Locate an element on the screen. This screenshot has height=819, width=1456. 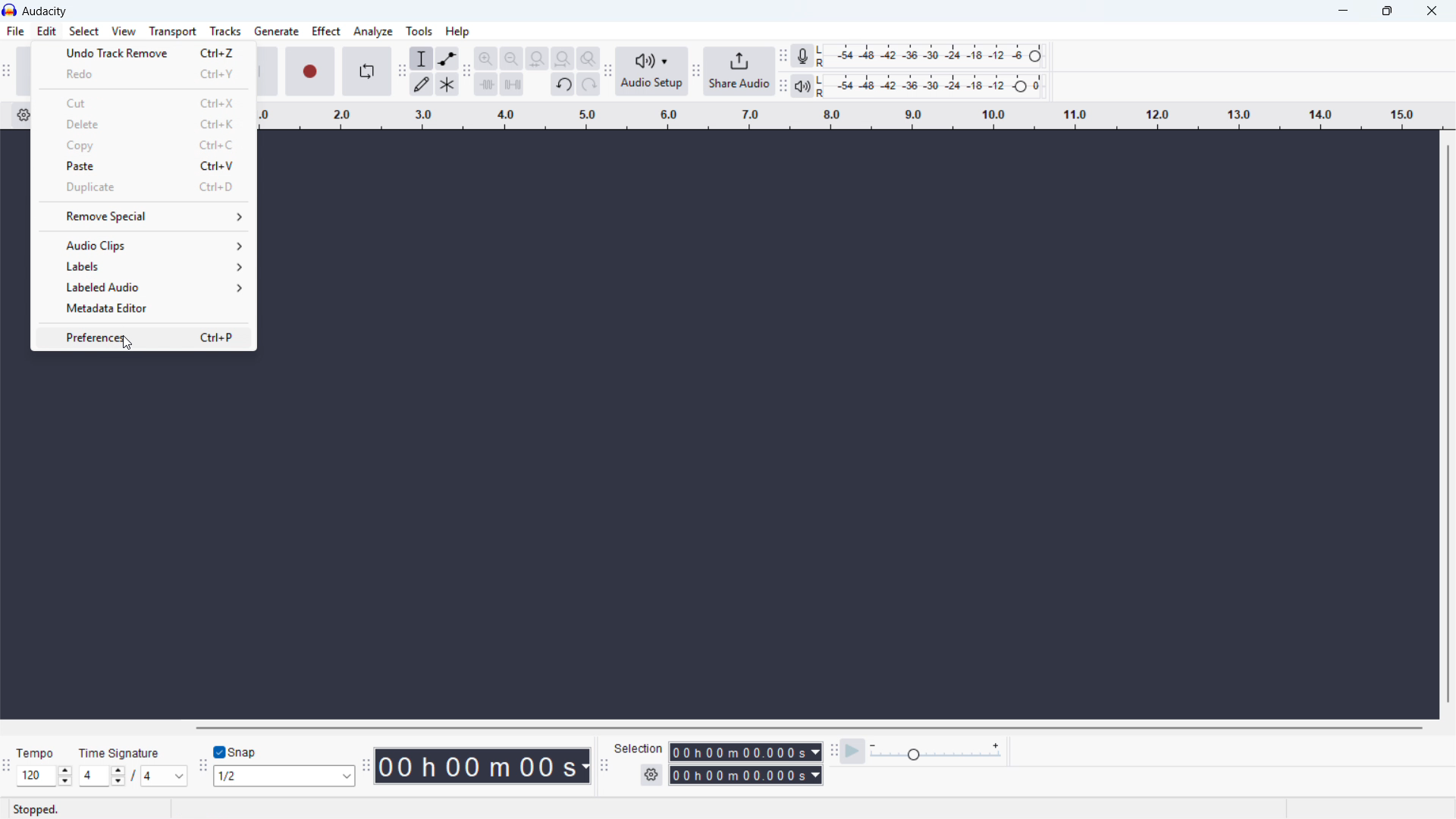
close is located at coordinates (1430, 11).